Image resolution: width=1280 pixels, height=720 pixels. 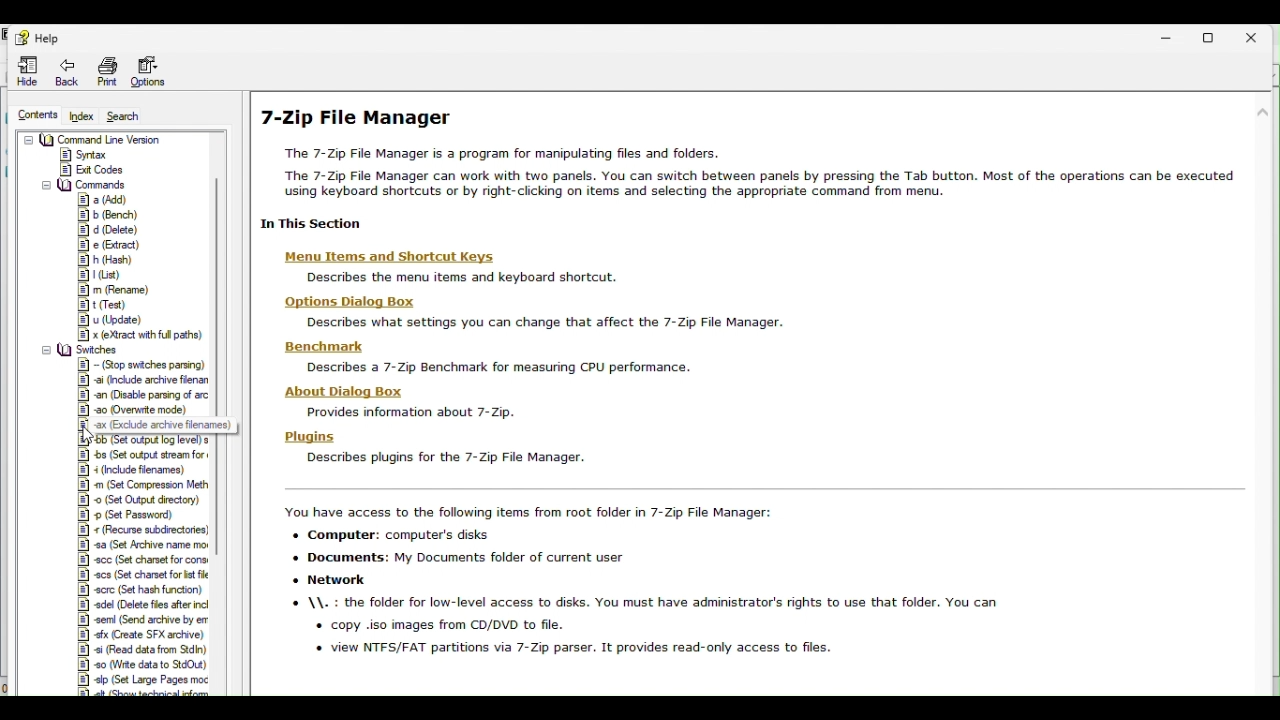 What do you see at coordinates (1262, 34) in the screenshot?
I see `Close` at bounding box center [1262, 34].